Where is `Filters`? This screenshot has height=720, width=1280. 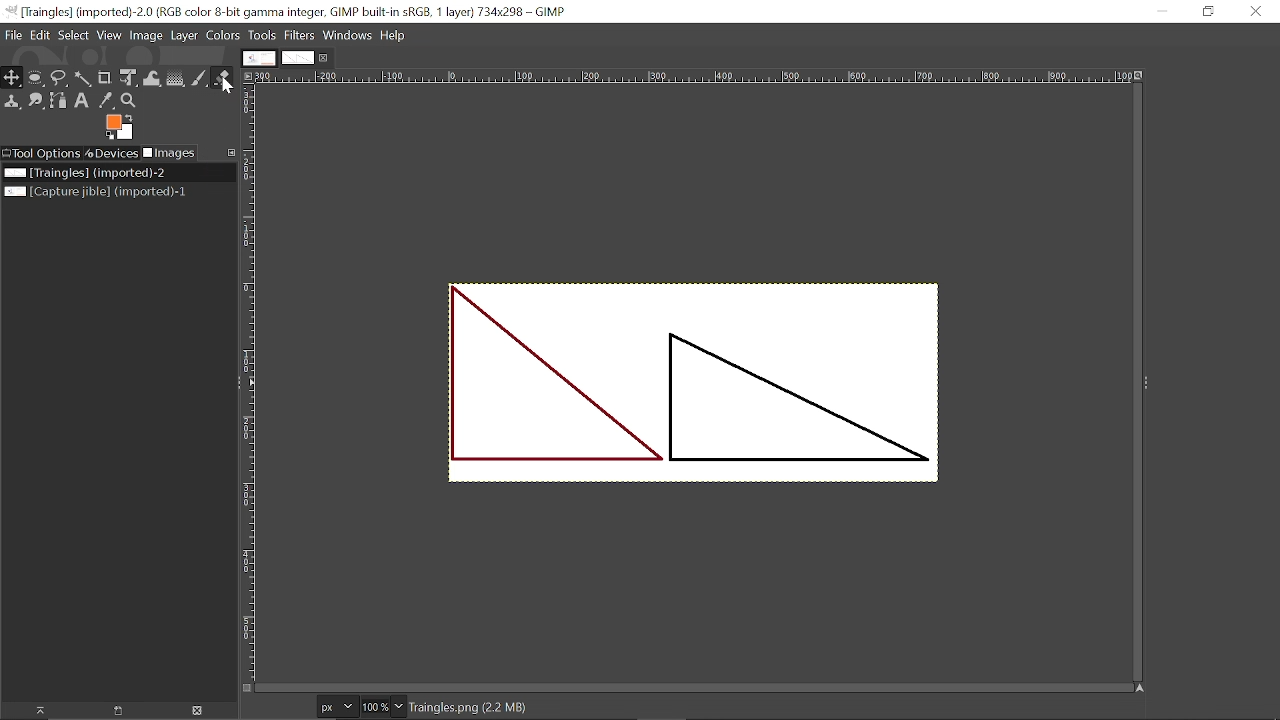
Filters is located at coordinates (300, 35).